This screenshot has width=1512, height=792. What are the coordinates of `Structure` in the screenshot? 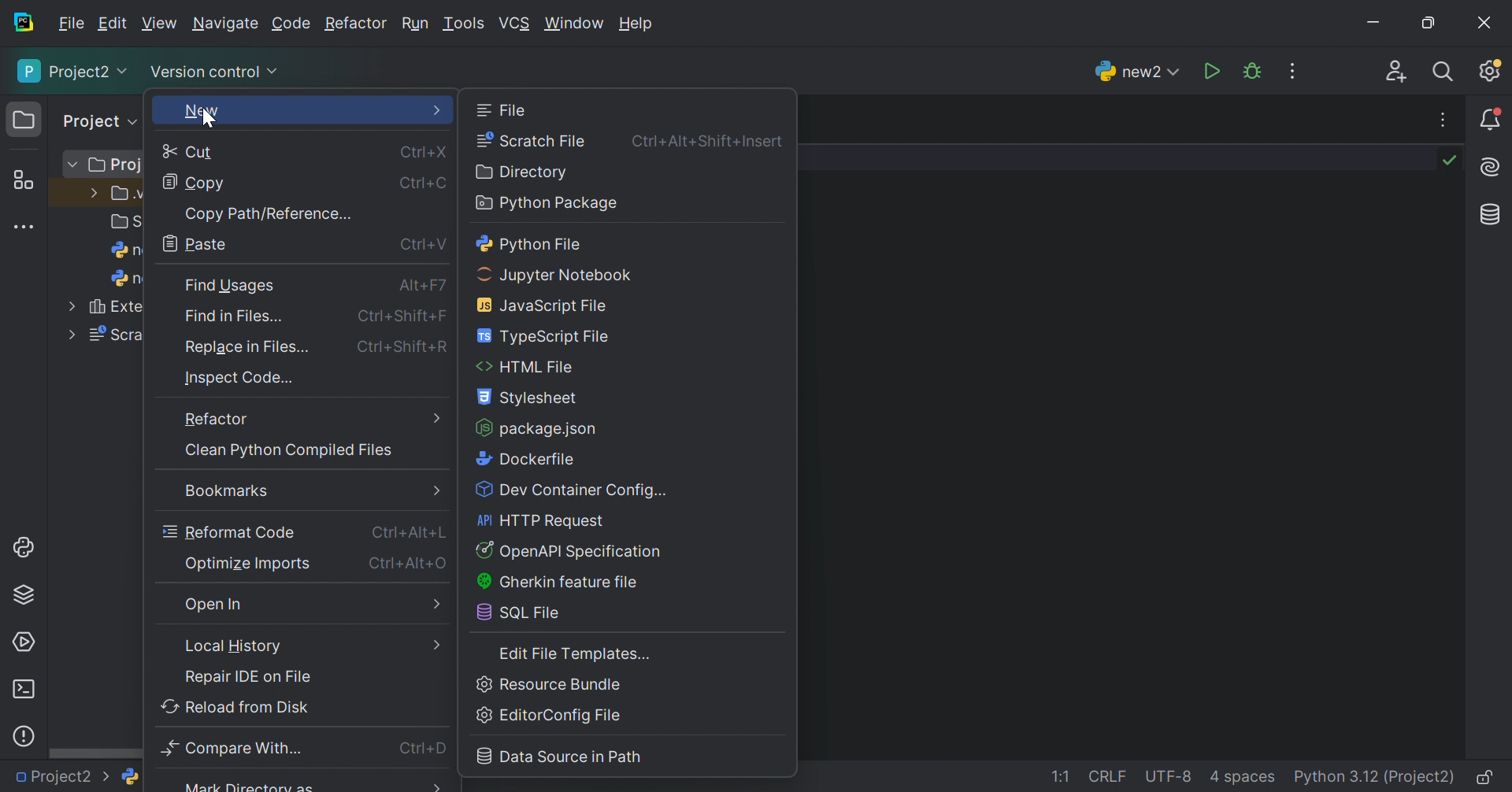 It's located at (24, 181).